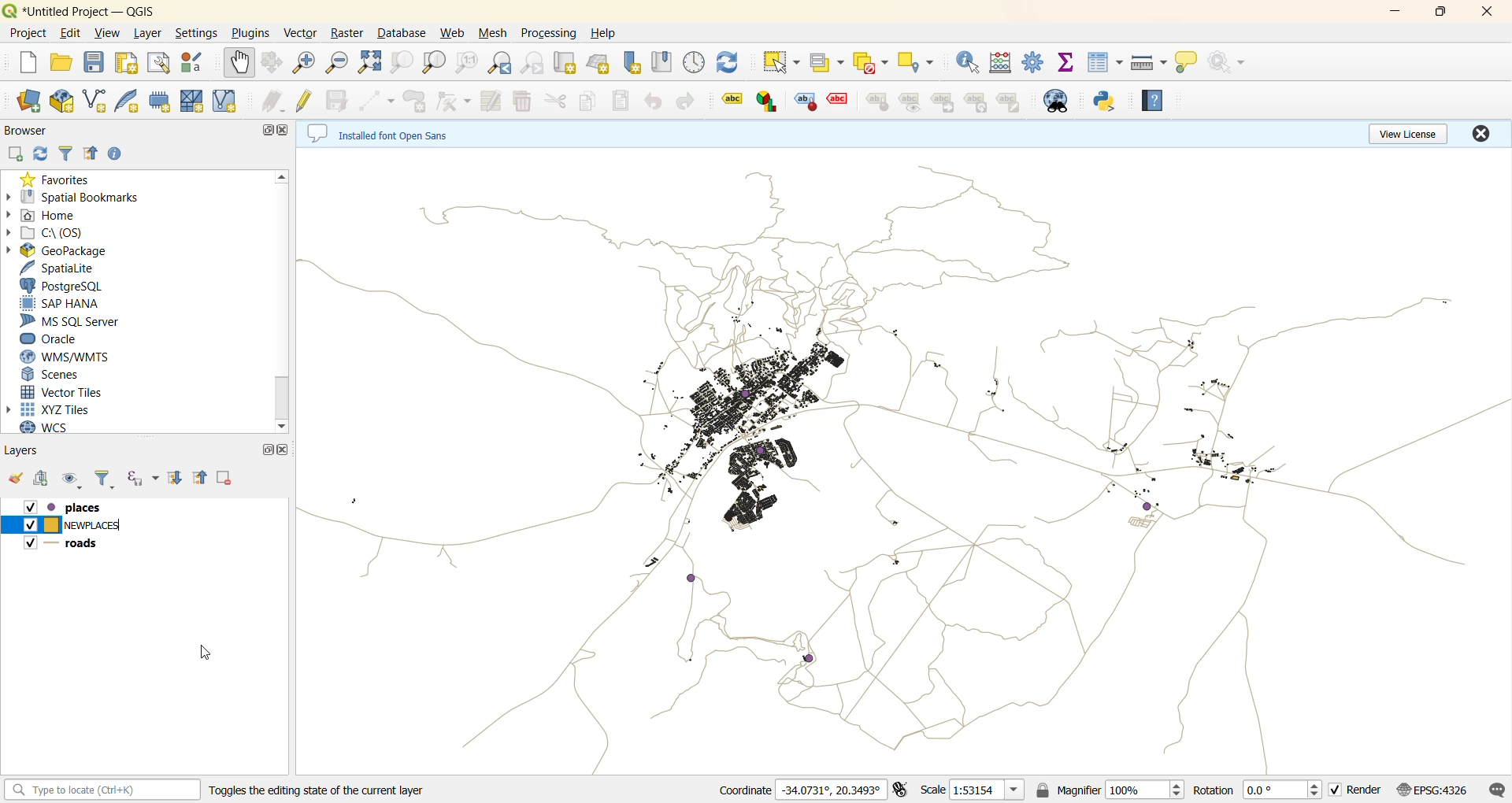  I want to click on new spatial bookmark, so click(632, 62).